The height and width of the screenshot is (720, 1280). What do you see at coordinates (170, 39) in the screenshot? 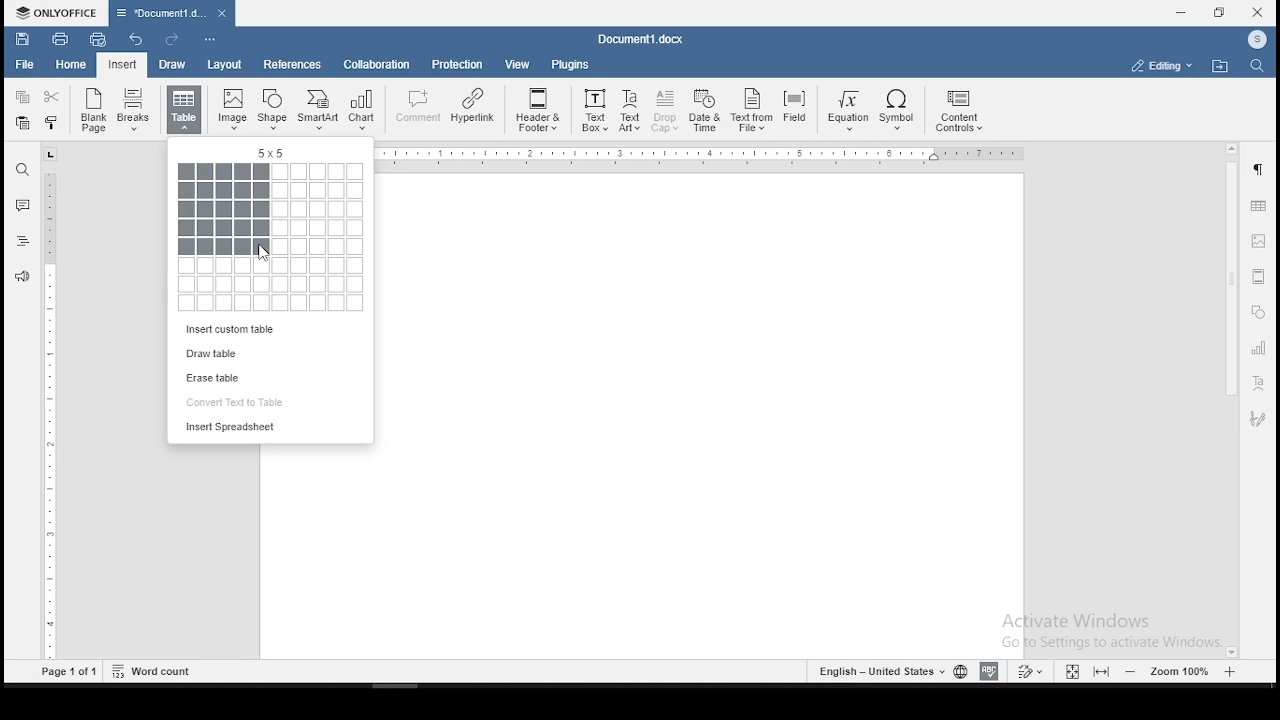
I see `redo` at bounding box center [170, 39].